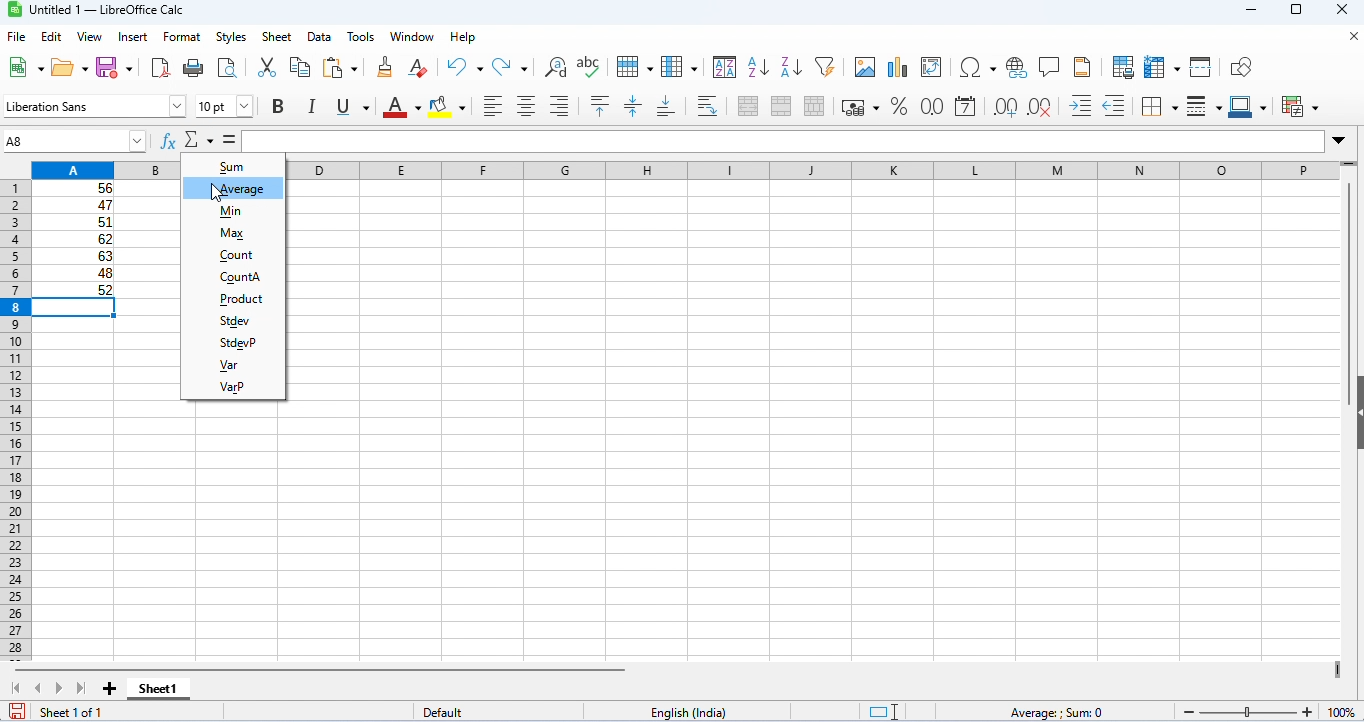 This screenshot has height=722, width=1364. I want to click on insert chart, so click(897, 68).